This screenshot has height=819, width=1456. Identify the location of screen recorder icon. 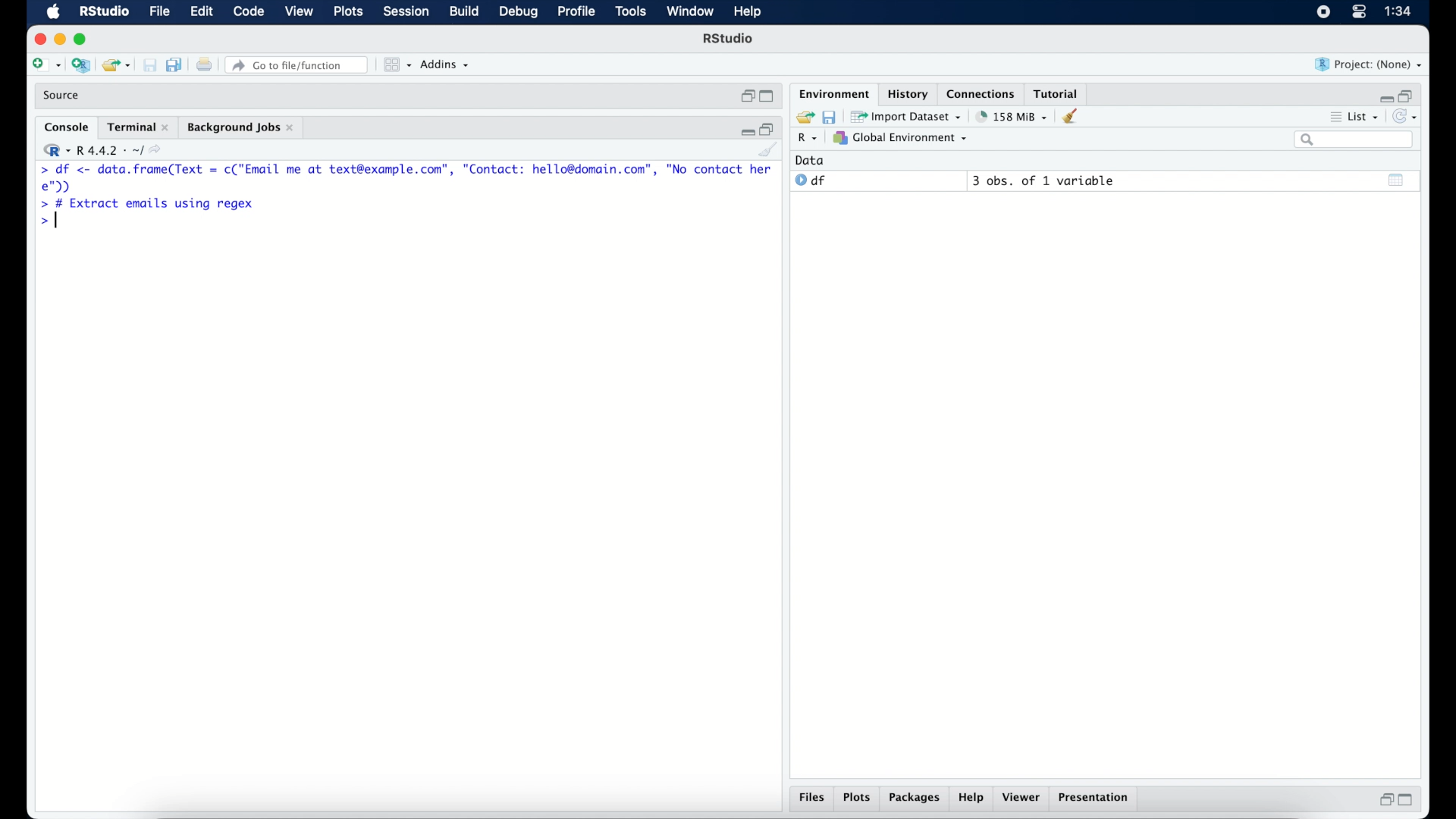
(1323, 12).